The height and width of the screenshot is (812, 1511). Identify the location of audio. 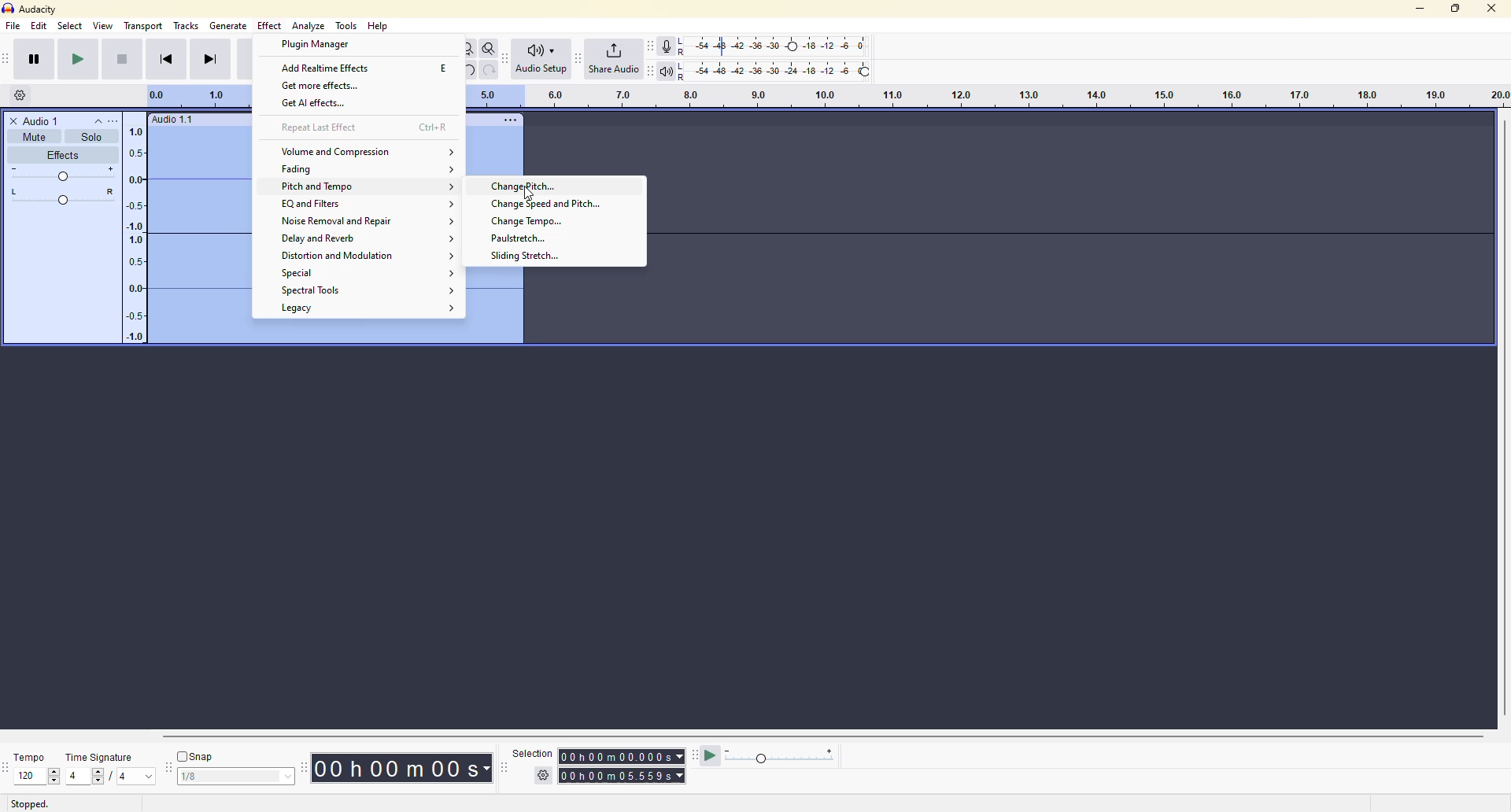
(181, 237).